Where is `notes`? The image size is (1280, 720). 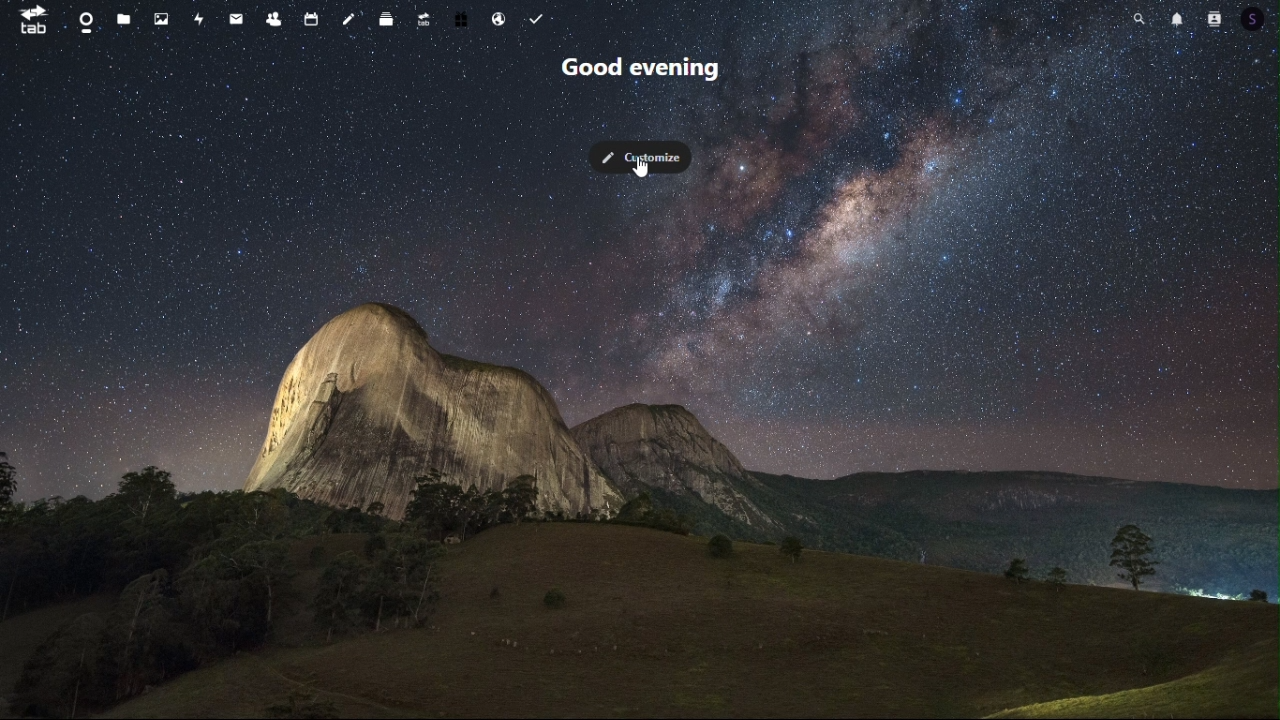
notes is located at coordinates (348, 18).